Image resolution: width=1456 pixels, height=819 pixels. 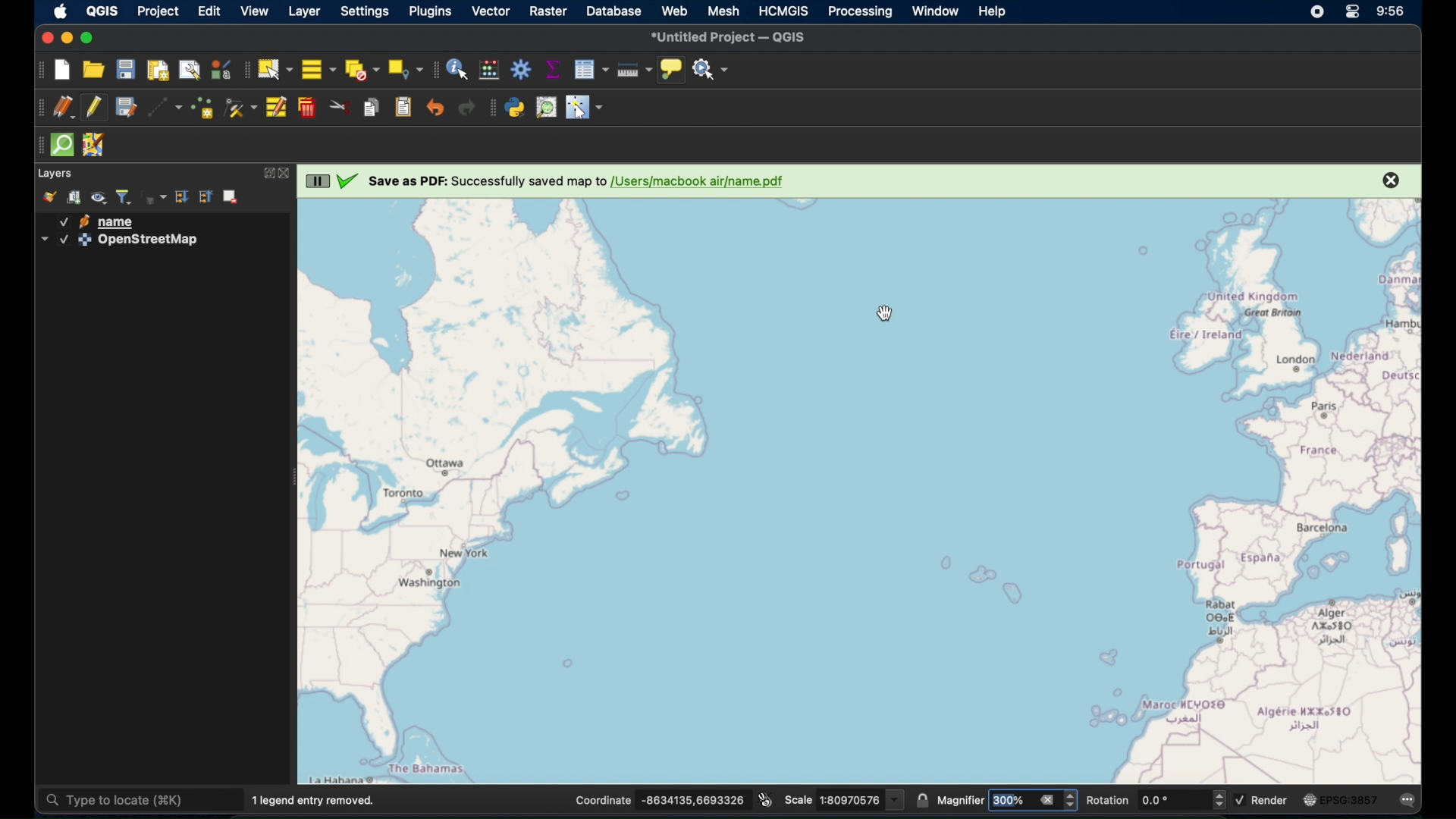 What do you see at coordinates (435, 107) in the screenshot?
I see `undo` at bounding box center [435, 107].